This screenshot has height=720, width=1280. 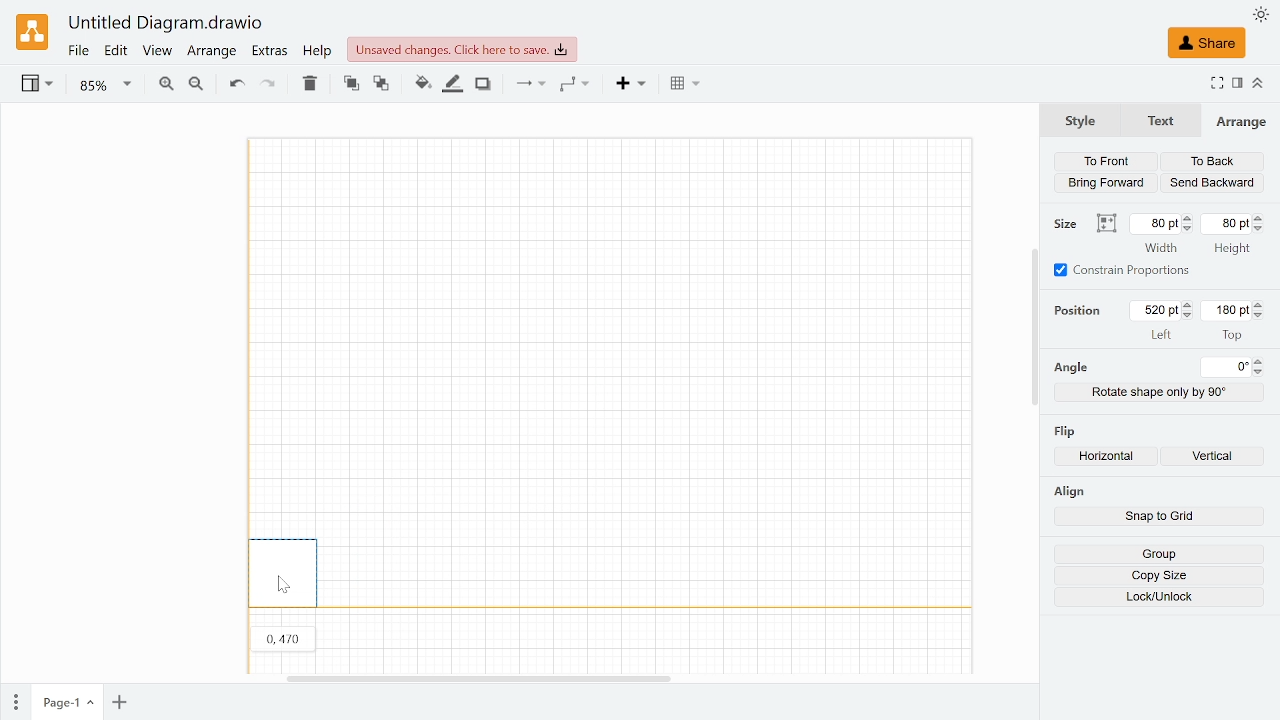 What do you see at coordinates (685, 85) in the screenshot?
I see `Table` at bounding box center [685, 85].